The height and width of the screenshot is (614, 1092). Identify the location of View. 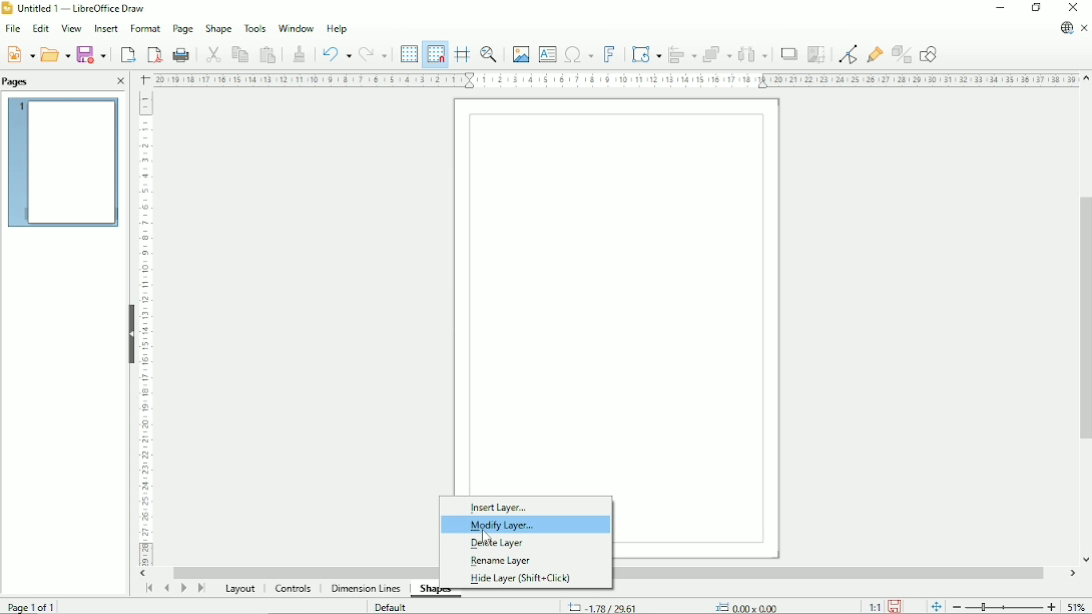
(71, 28).